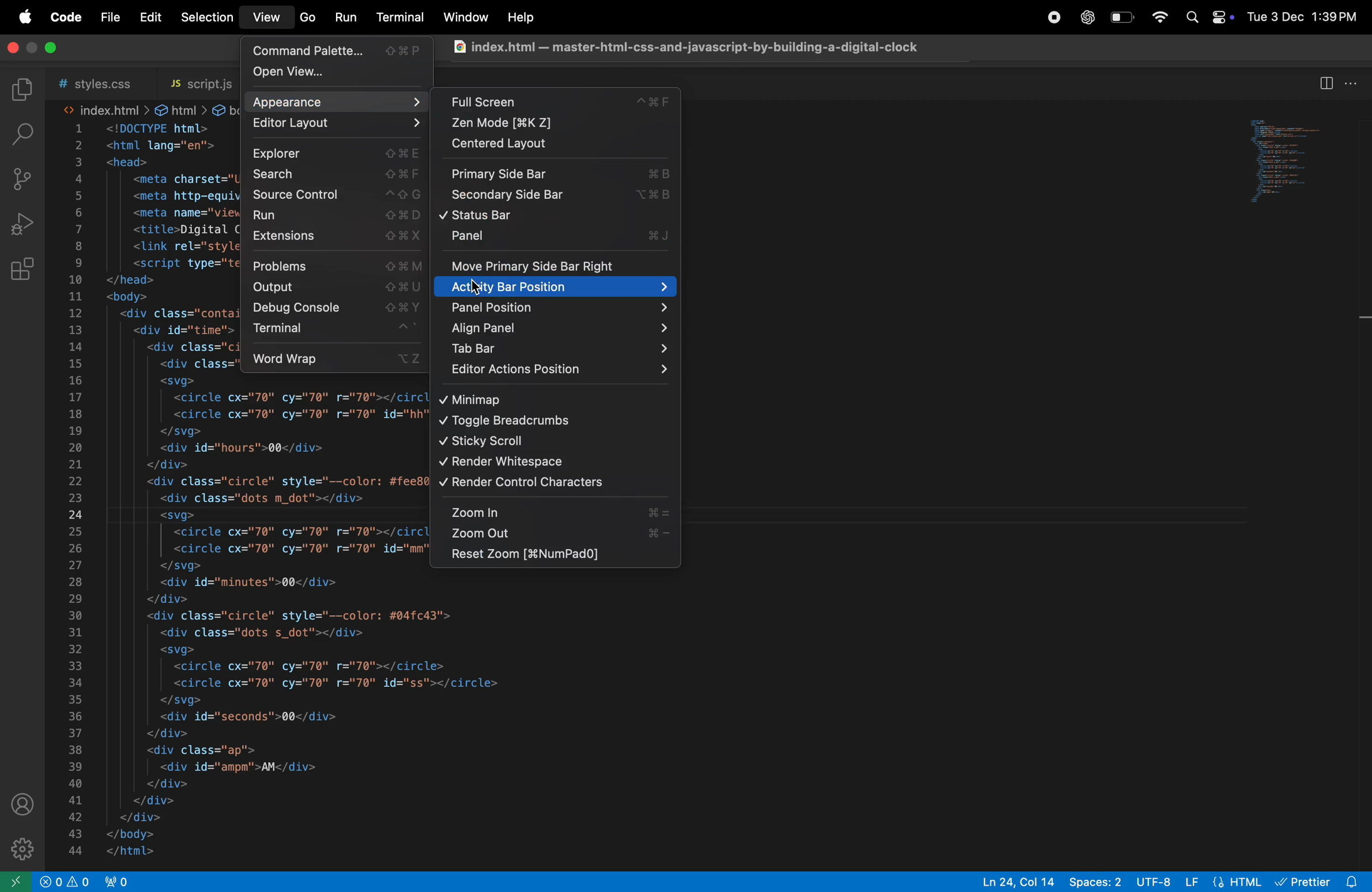 This screenshot has height=892, width=1372. I want to click on apple widgets, so click(1207, 16).